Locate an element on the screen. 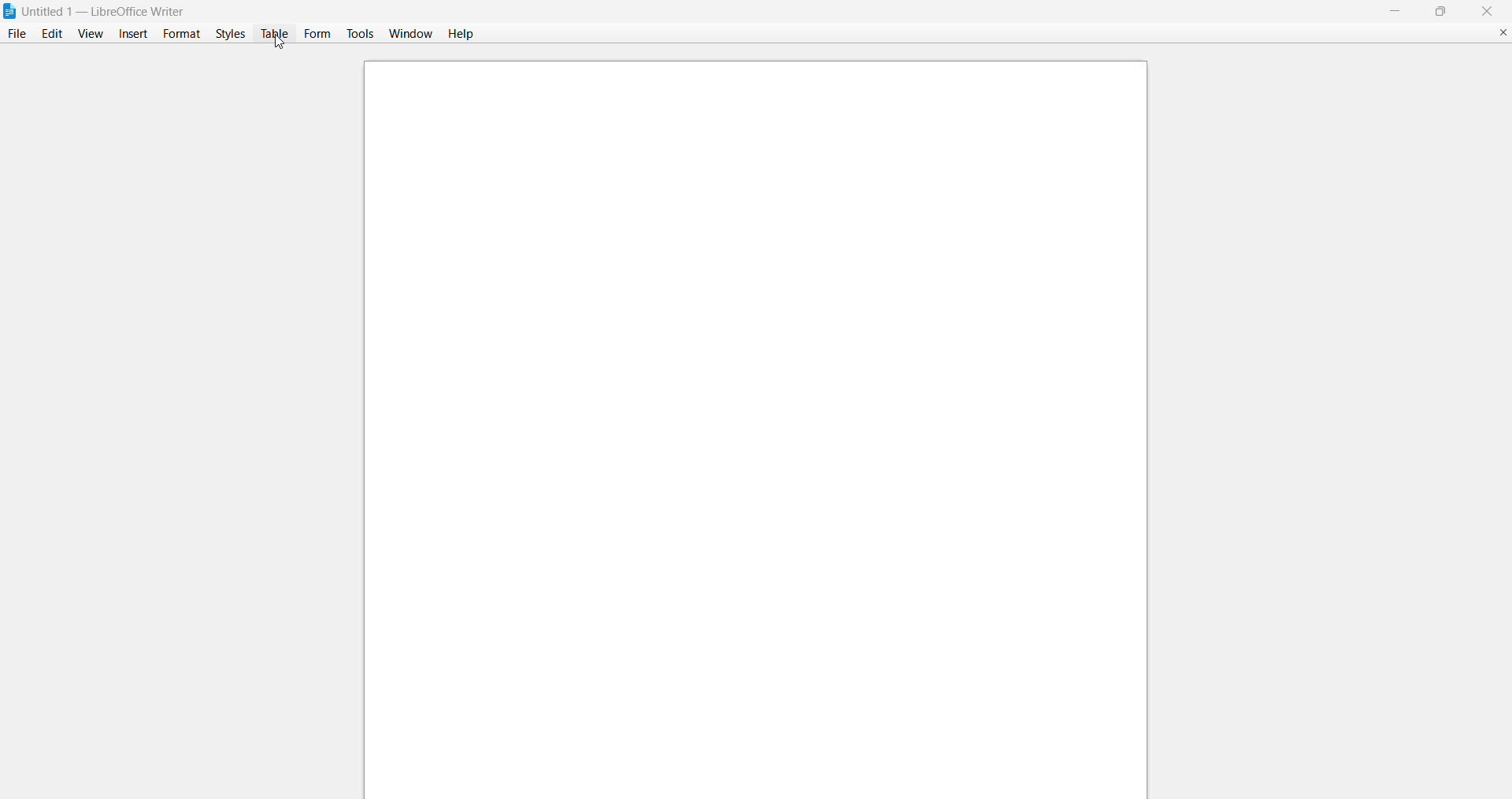  libreofficewriter logo is located at coordinates (9, 11).